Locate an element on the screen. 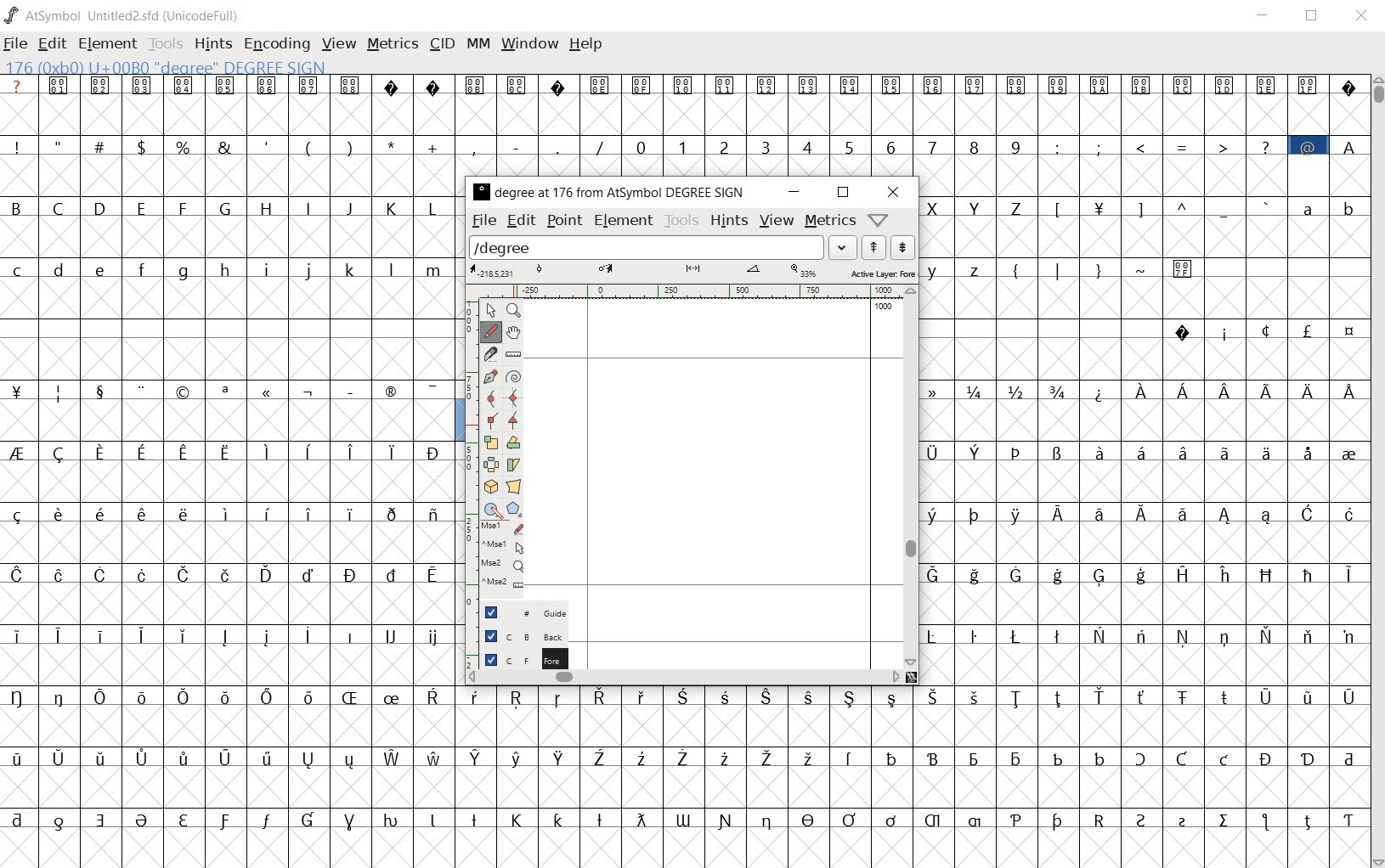  foreground is located at coordinates (516, 661).